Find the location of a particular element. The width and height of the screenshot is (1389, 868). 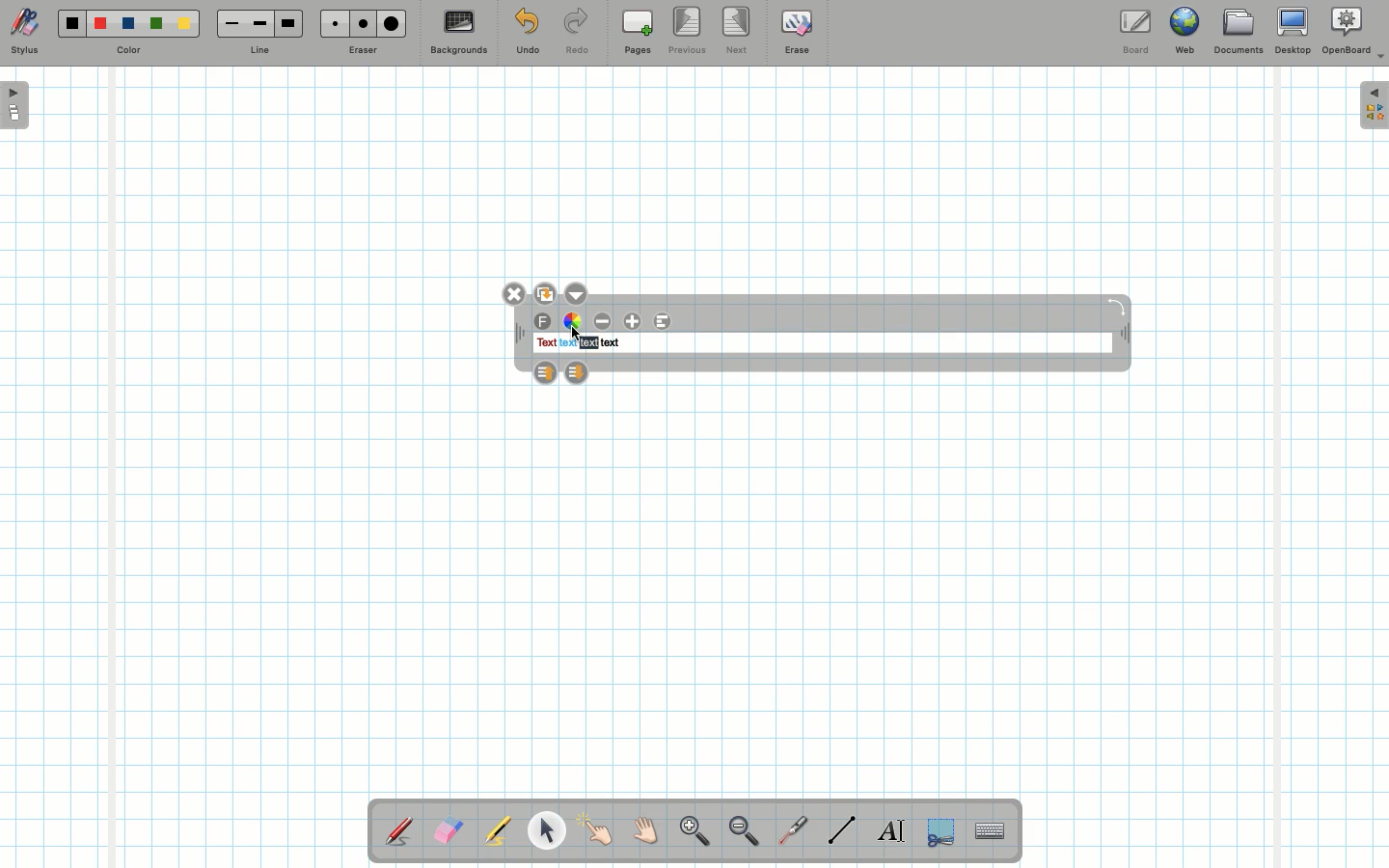

Stylus is located at coordinates (24, 32).